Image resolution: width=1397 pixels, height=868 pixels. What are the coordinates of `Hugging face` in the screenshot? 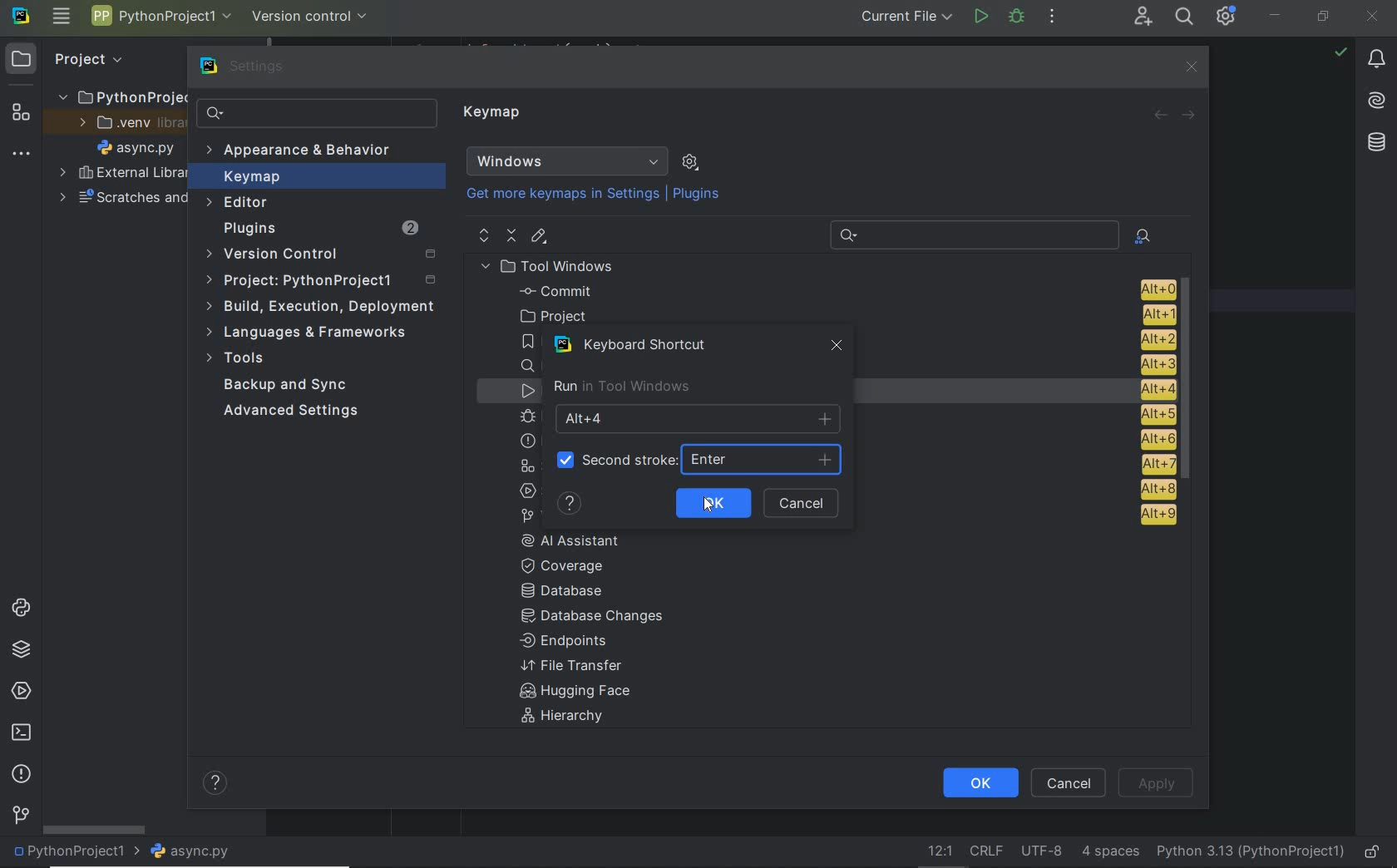 It's located at (570, 693).